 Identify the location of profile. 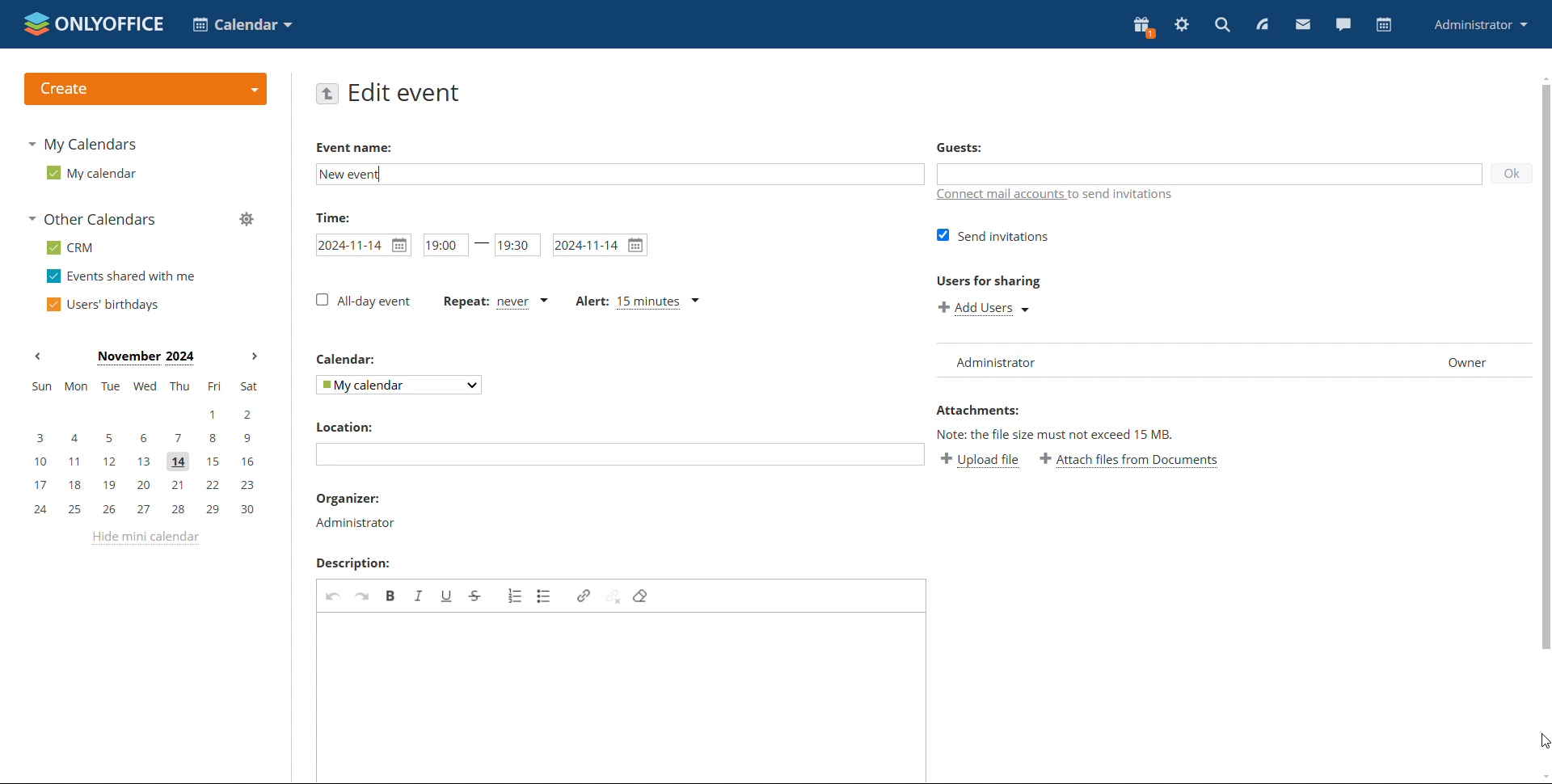
(1478, 26).